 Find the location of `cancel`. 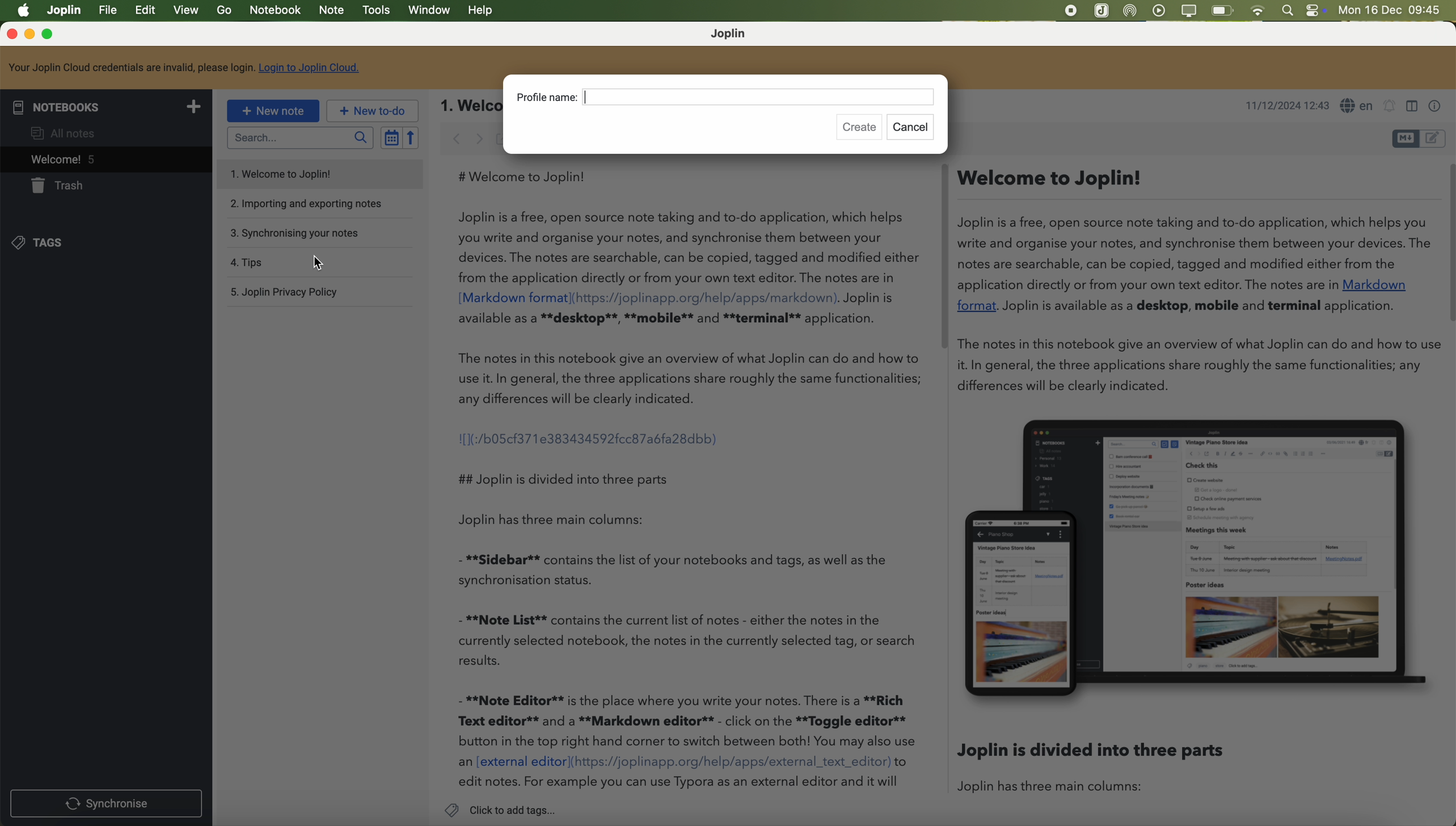

cancel is located at coordinates (913, 128).